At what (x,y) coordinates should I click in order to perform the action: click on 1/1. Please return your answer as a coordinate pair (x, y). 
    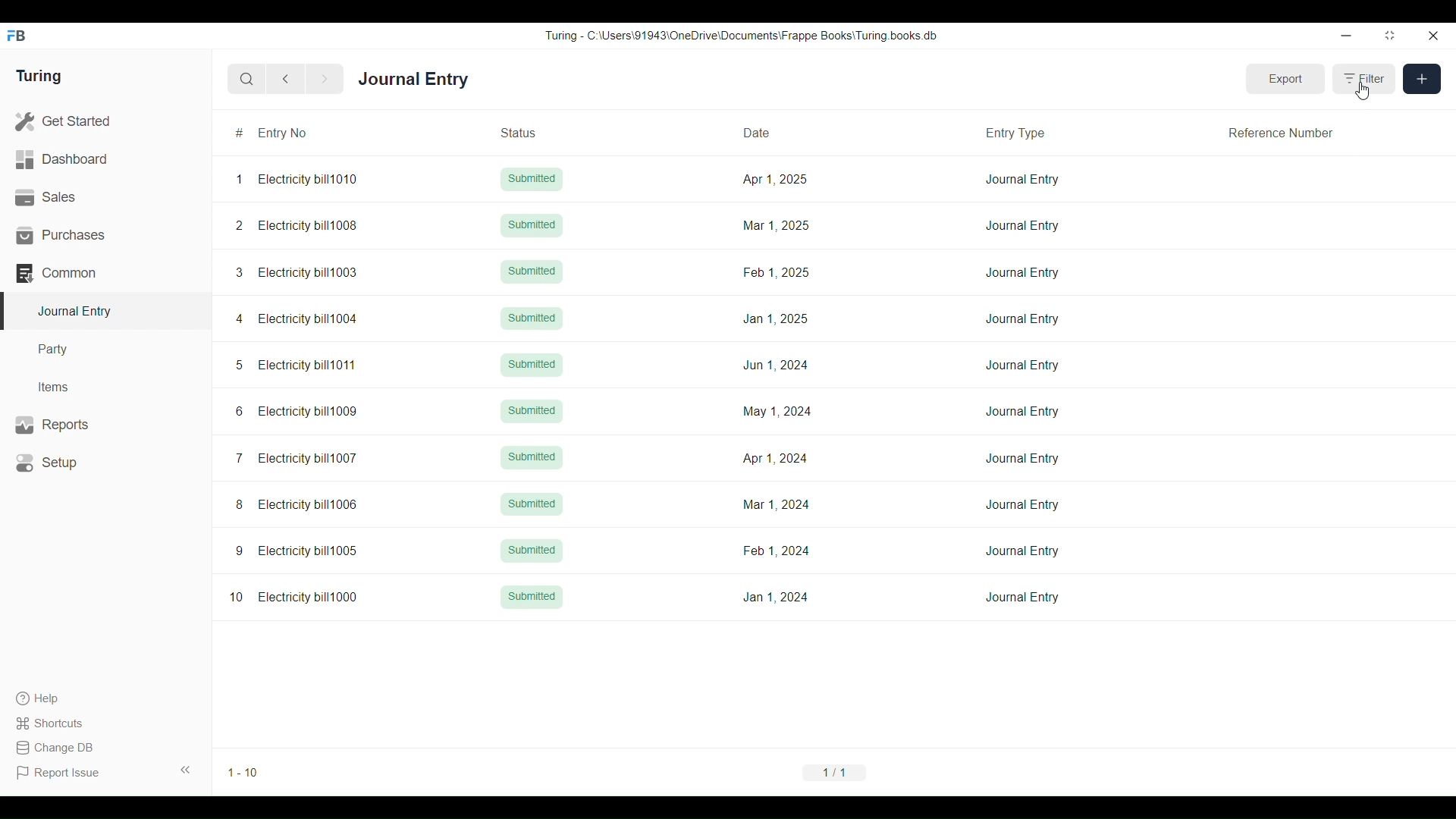
    Looking at the image, I should click on (834, 772).